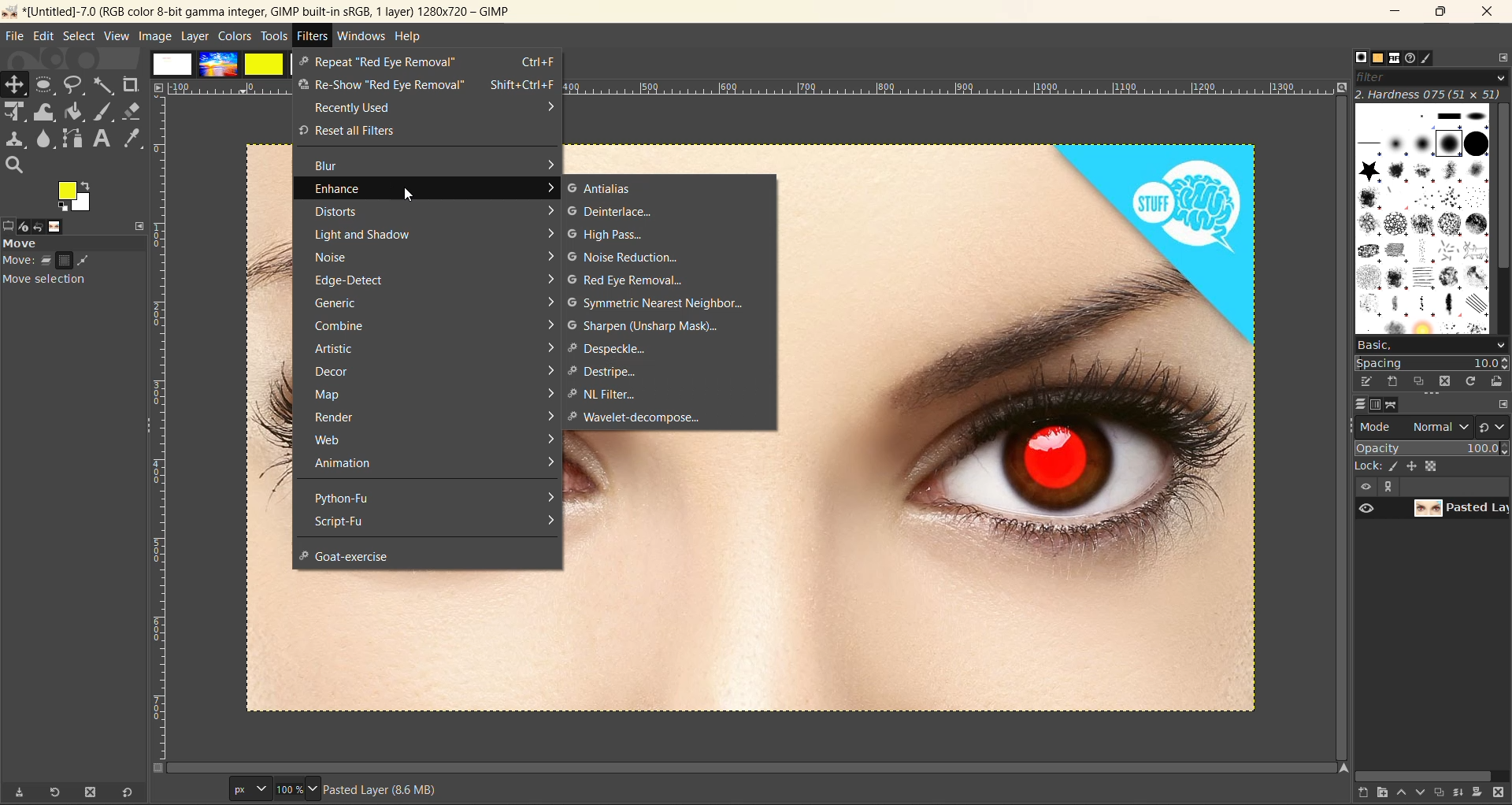 The height and width of the screenshot is (805, 1512). What do you see at coordinates (1417, 381) in the screenshot?
I see `duplicate this brush` at bounding box center [1417, 381].